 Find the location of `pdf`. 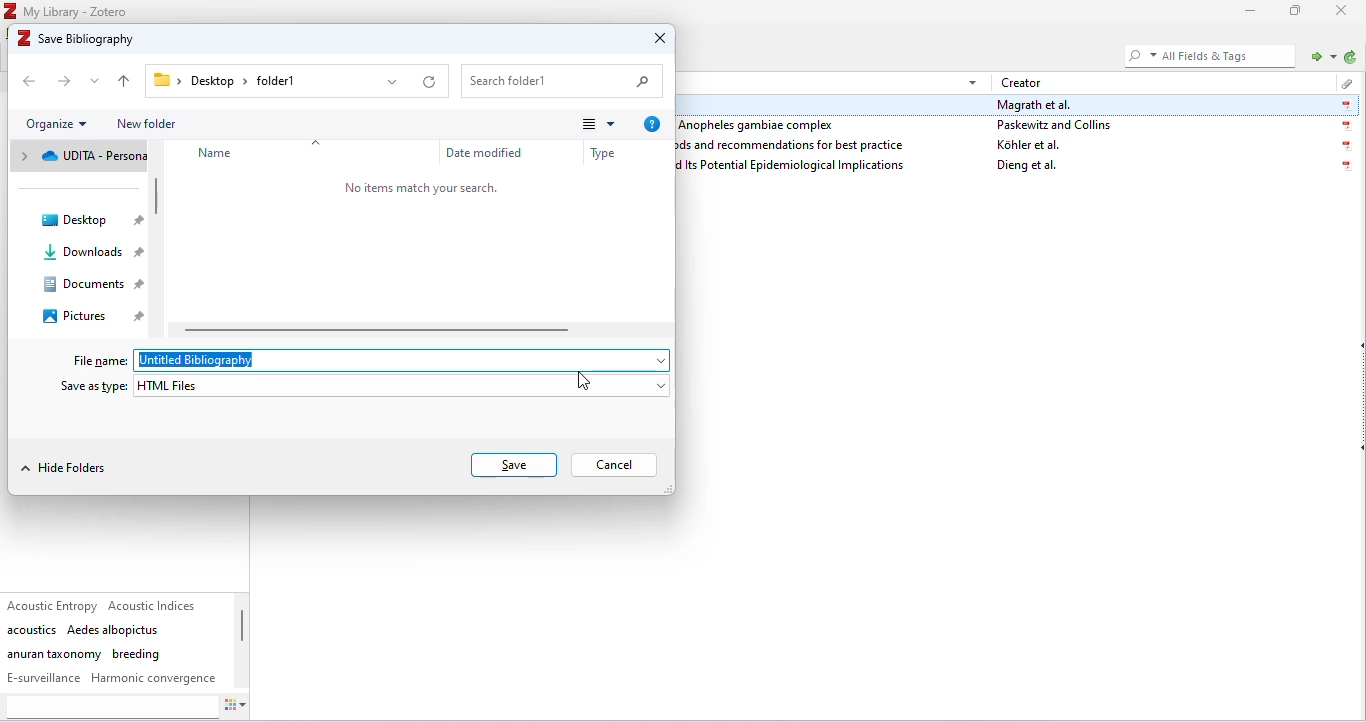

pdf is located at coordinates (1343, 167).